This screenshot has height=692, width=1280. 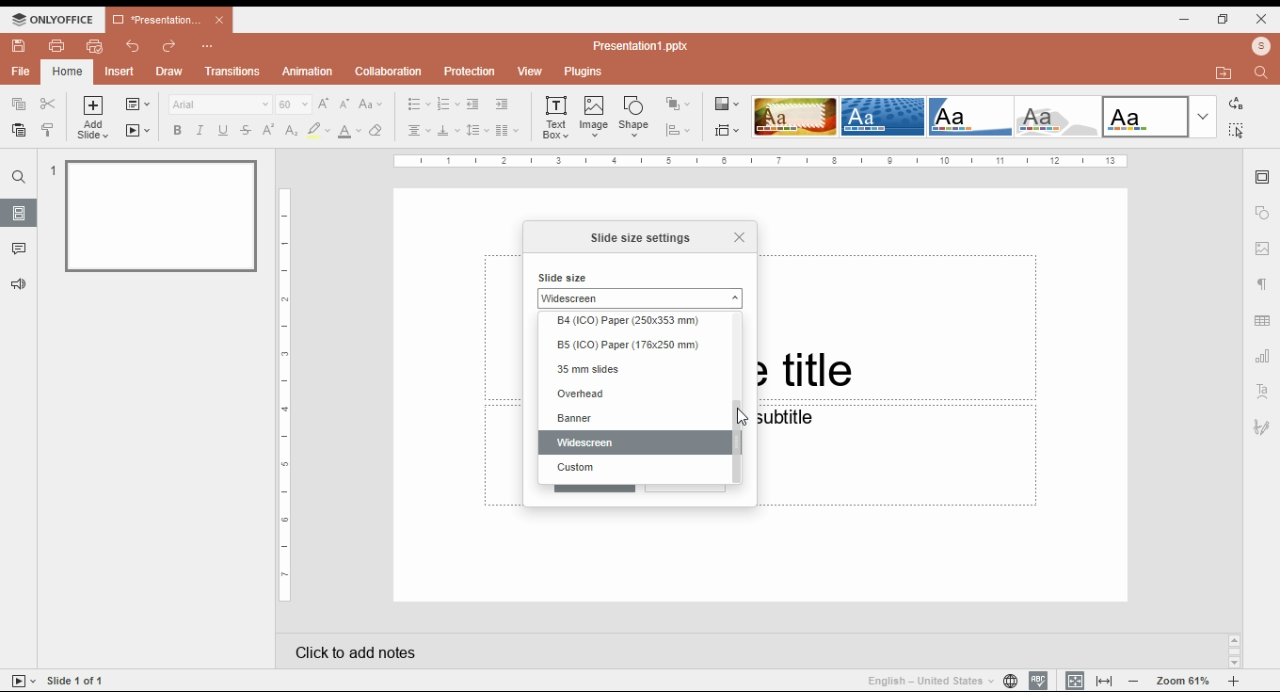 What do you see at coordinates (529, 72) in the screenshot?
I see `view` at bounding box center [529, 72].